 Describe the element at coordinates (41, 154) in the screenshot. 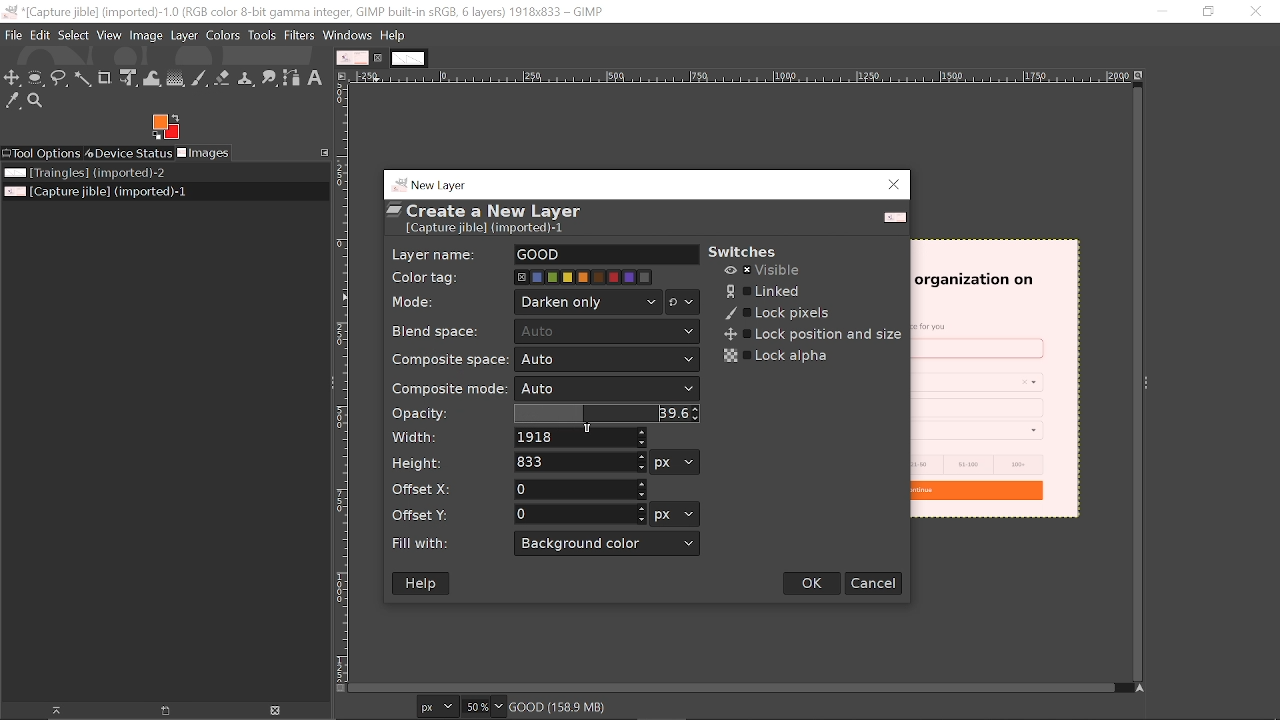

I see `Tool options` at that location.